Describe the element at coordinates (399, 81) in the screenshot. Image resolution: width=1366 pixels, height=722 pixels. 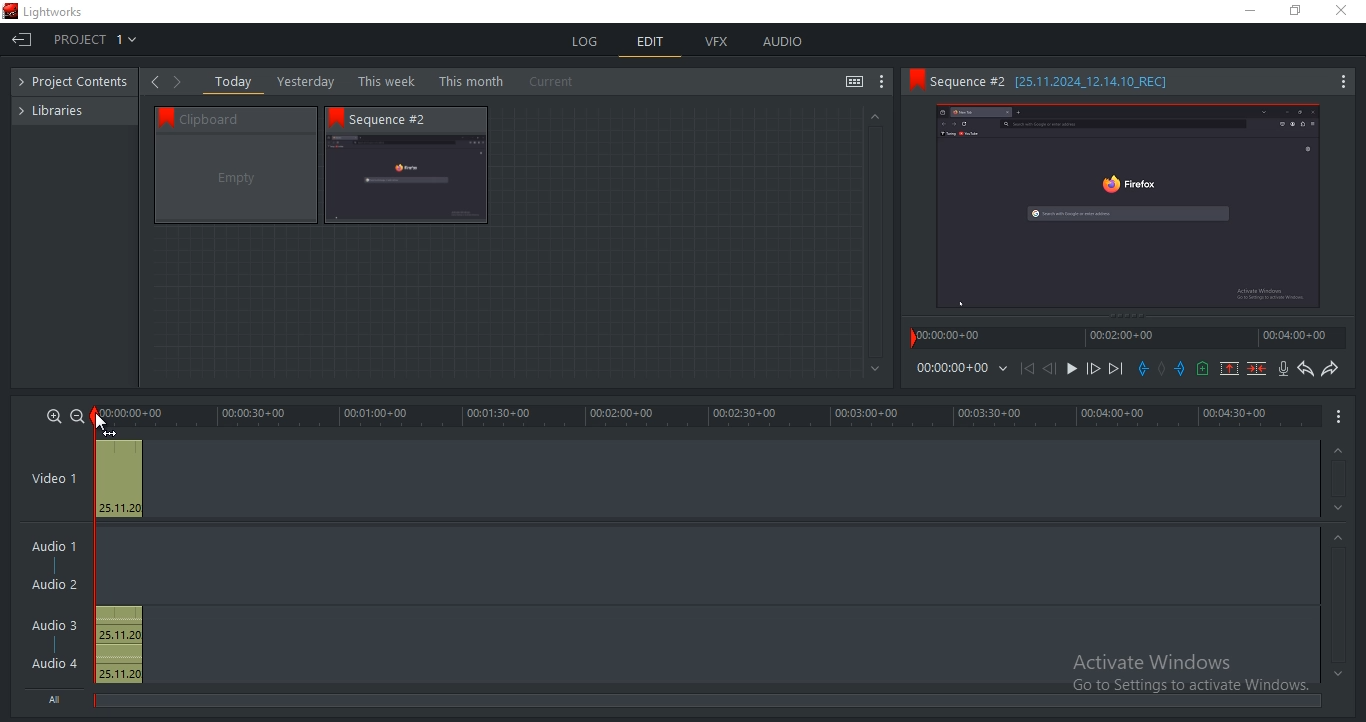
I see `Today, yesterday, This week, This month, Current` at that location.